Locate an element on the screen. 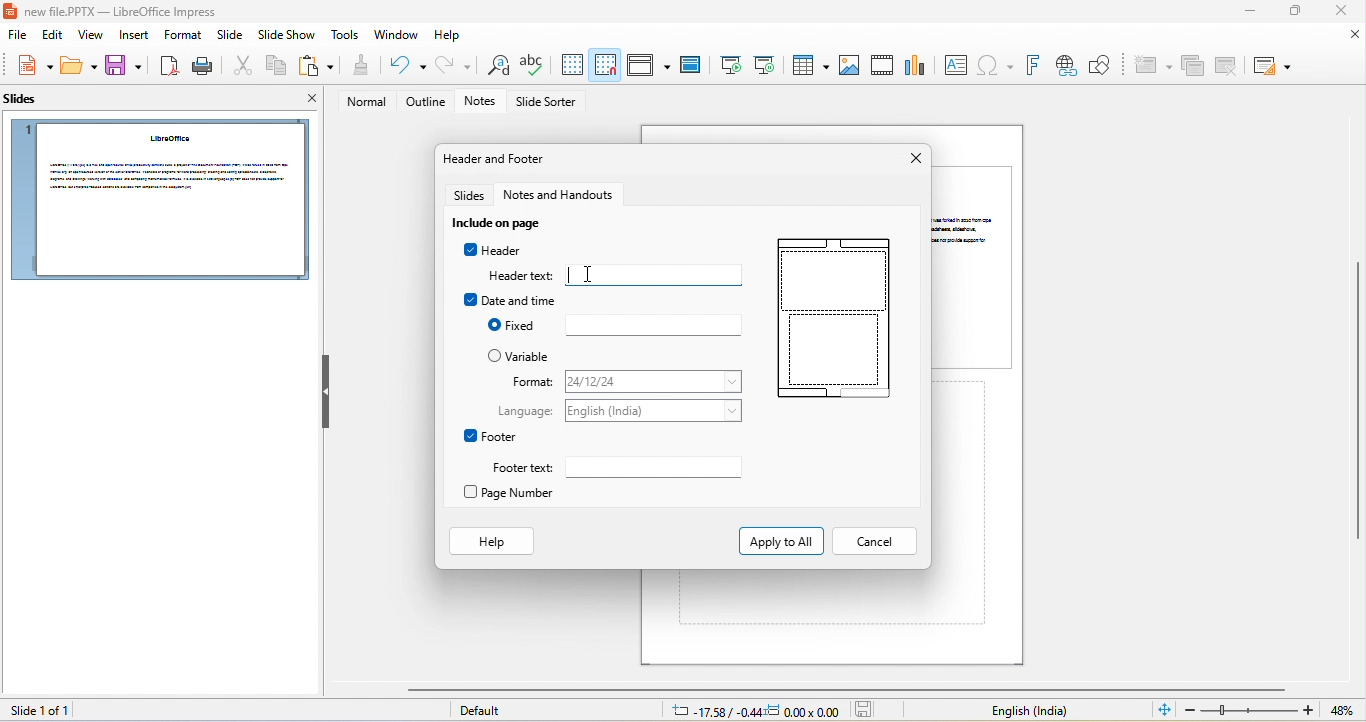 Image resolution: width=1366 pixels, height=722 pixels. include on slide is located at coordinates (502, 223).